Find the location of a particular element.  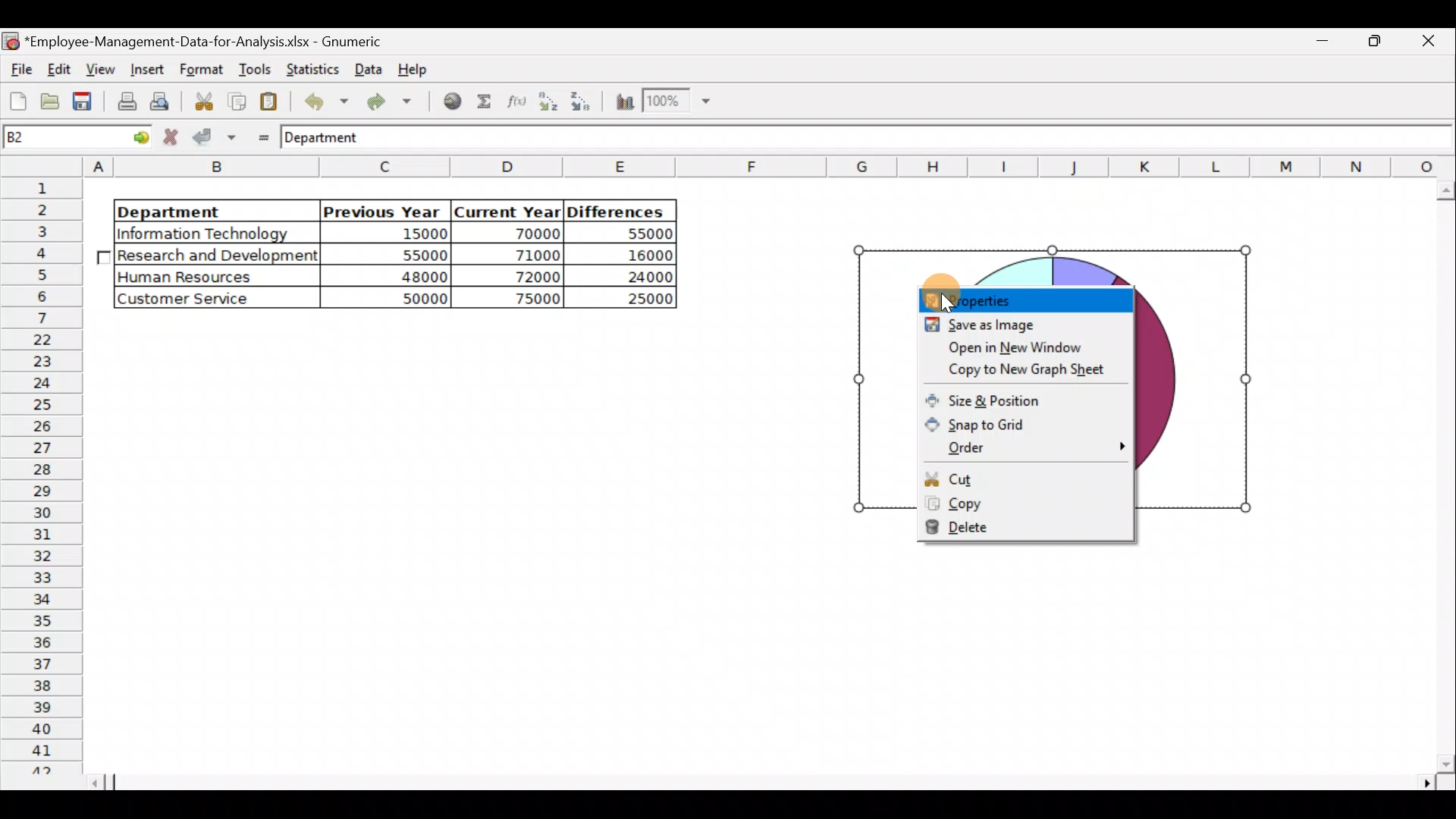

Minimize is located at coordinates (1376, 46).